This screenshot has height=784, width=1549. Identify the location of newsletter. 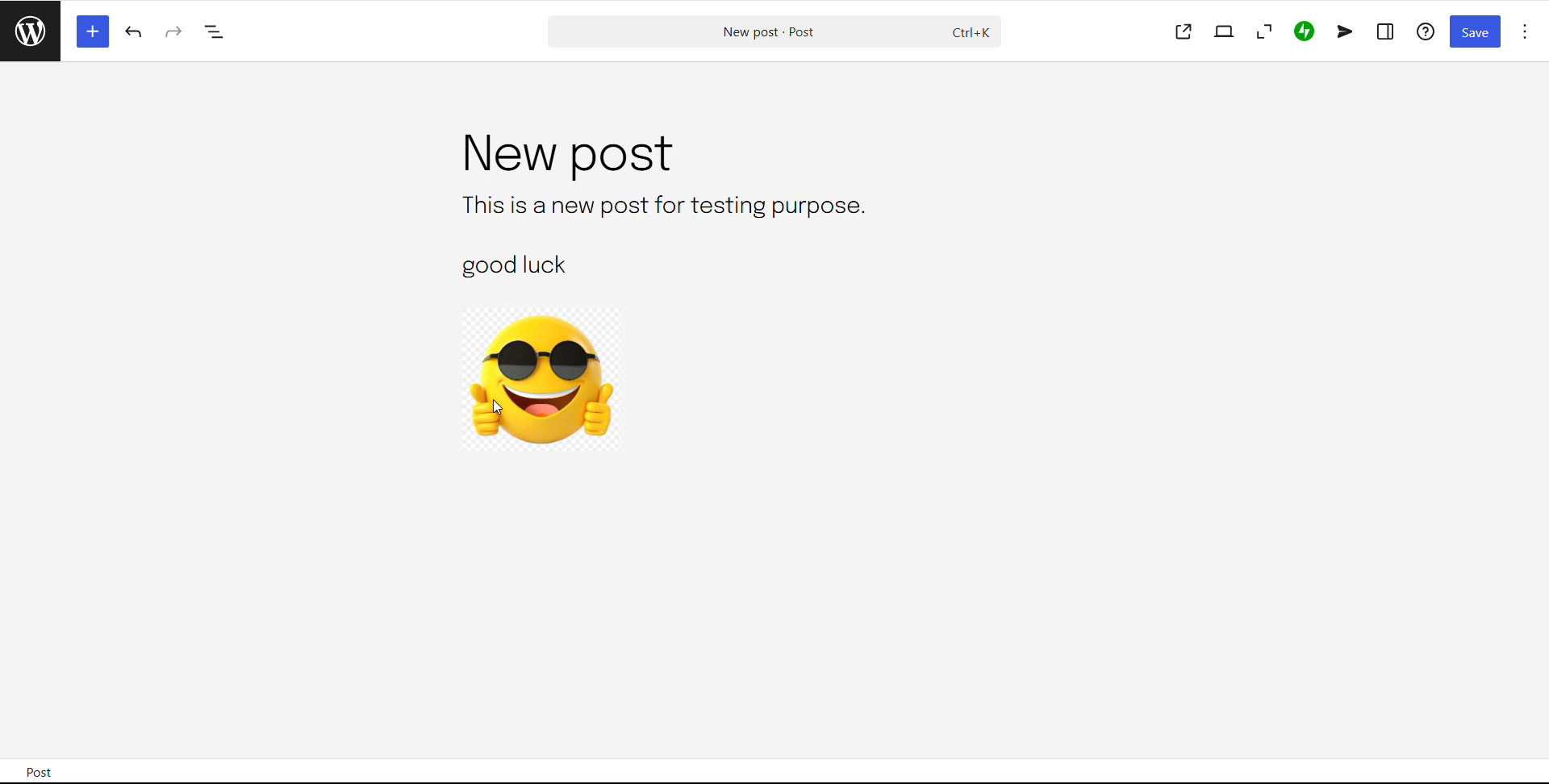
(1345, 31).